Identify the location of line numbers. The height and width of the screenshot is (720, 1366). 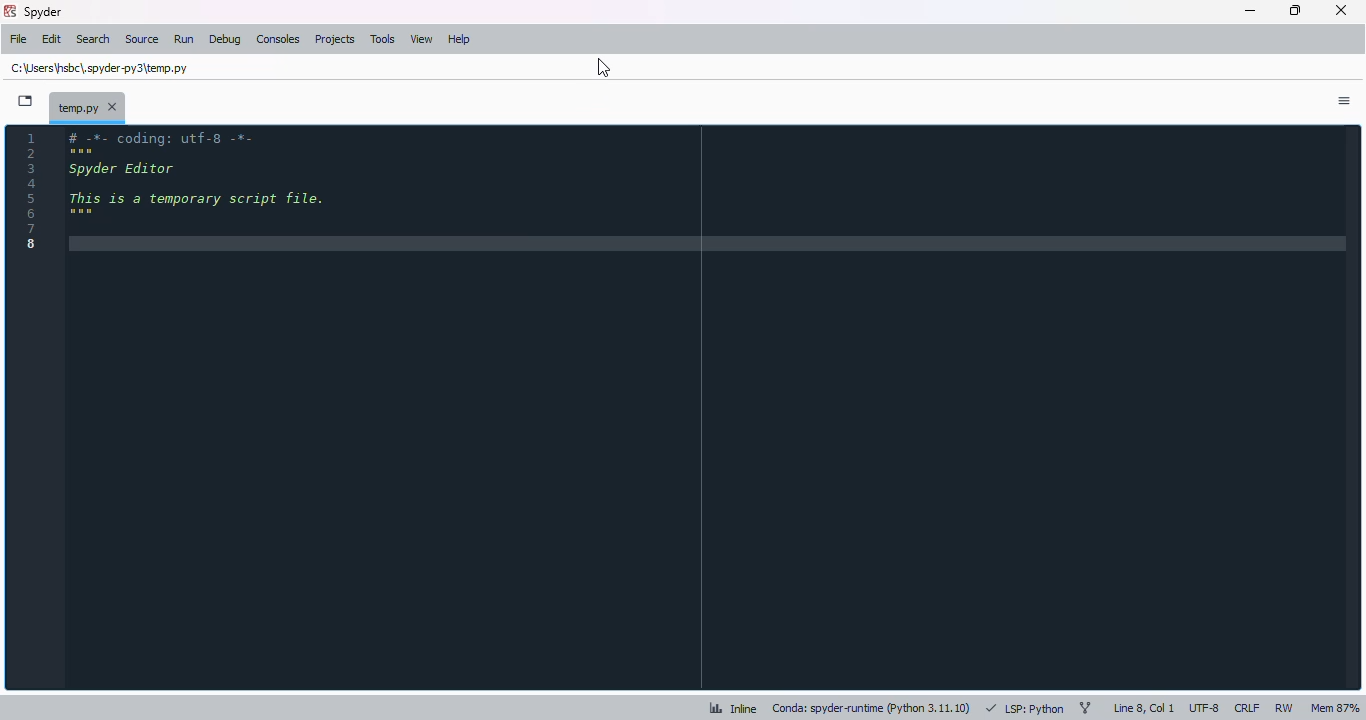
(29, 216).